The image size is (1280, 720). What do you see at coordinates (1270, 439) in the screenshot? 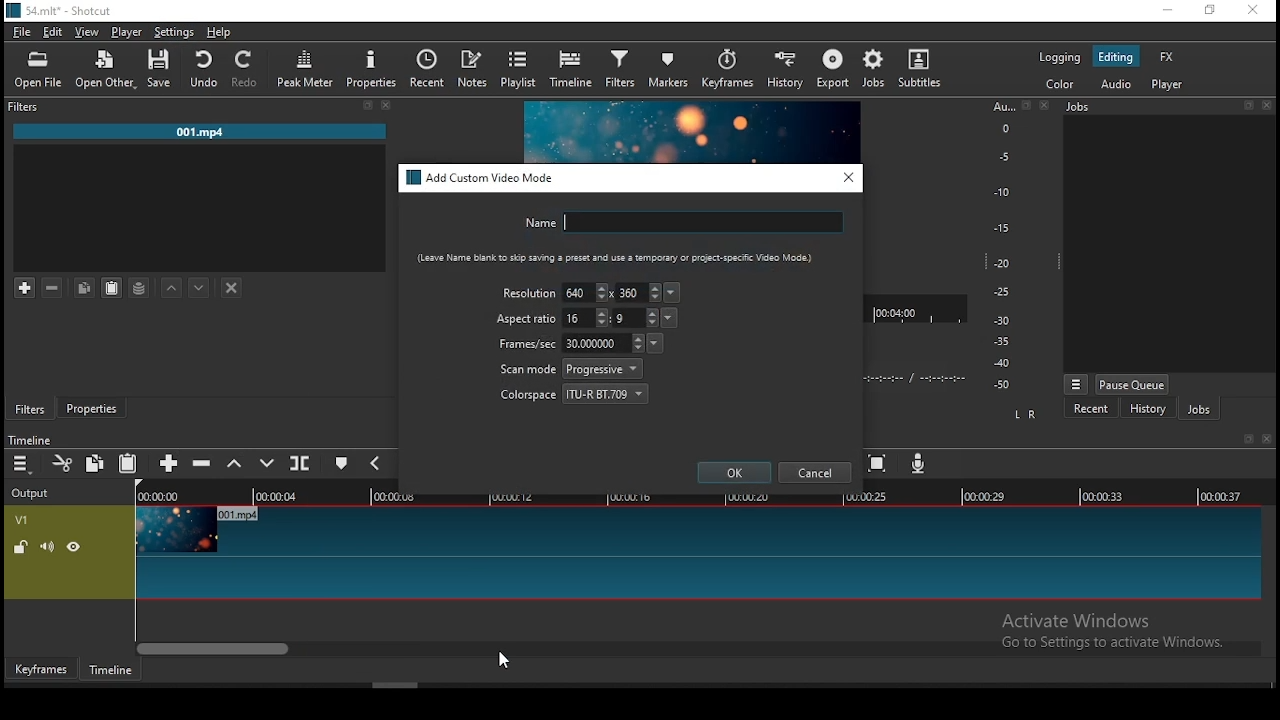
I see `close` at bounding box center [1270, 439].